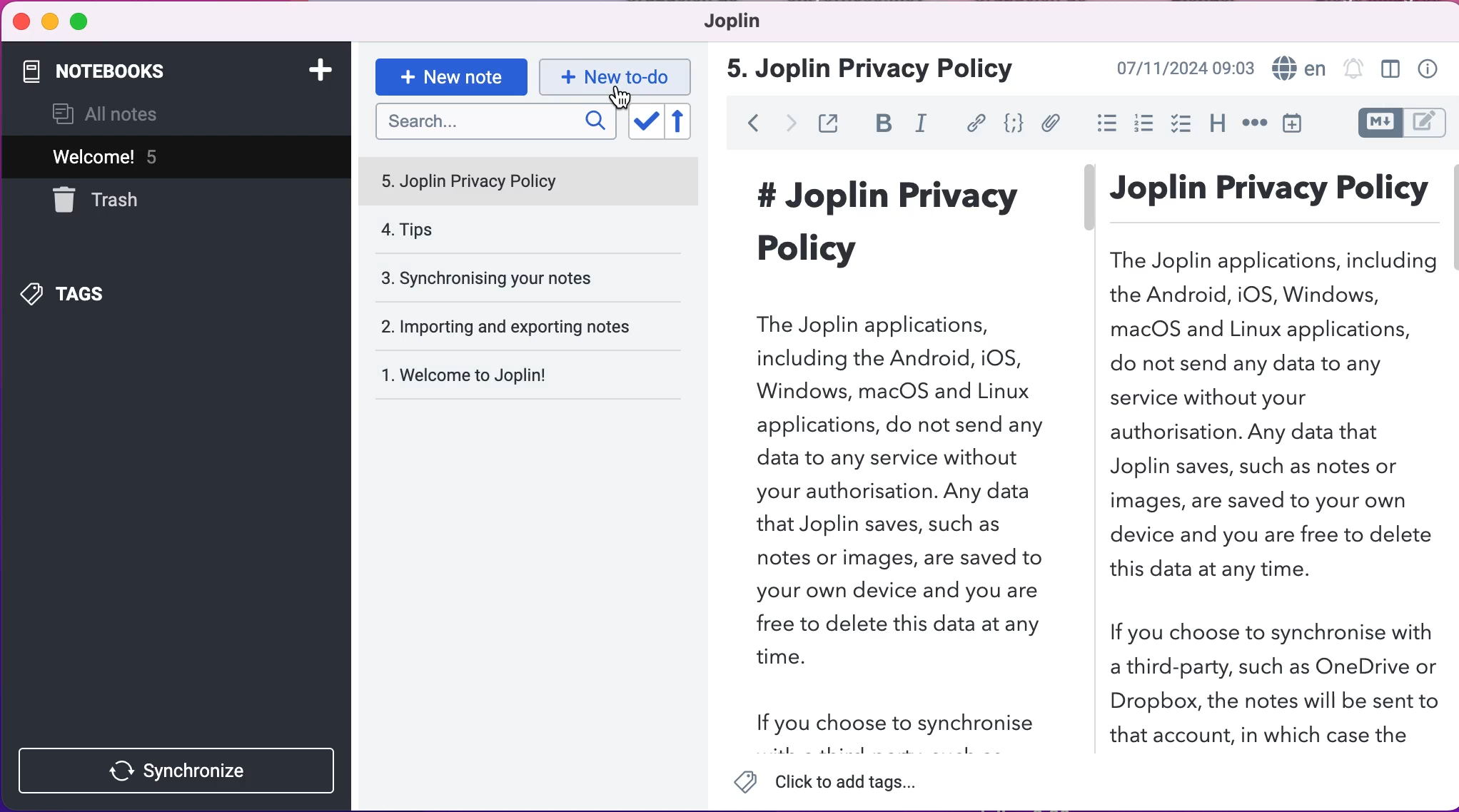 The height and width of the screenshot is (812, 1459). I want to click on # Joplin Privacy
Policy

The Joplin applications,
including the Android, iOS,
Windows, macOS and Linux
applications, do not send any
data to any service without
your authorisation. Any data
that Joplin saves, such as
notes or images, are saved to
your own device and you are
free to delete this data at any
time.

If you choose to synchronise, so click(889, 460).